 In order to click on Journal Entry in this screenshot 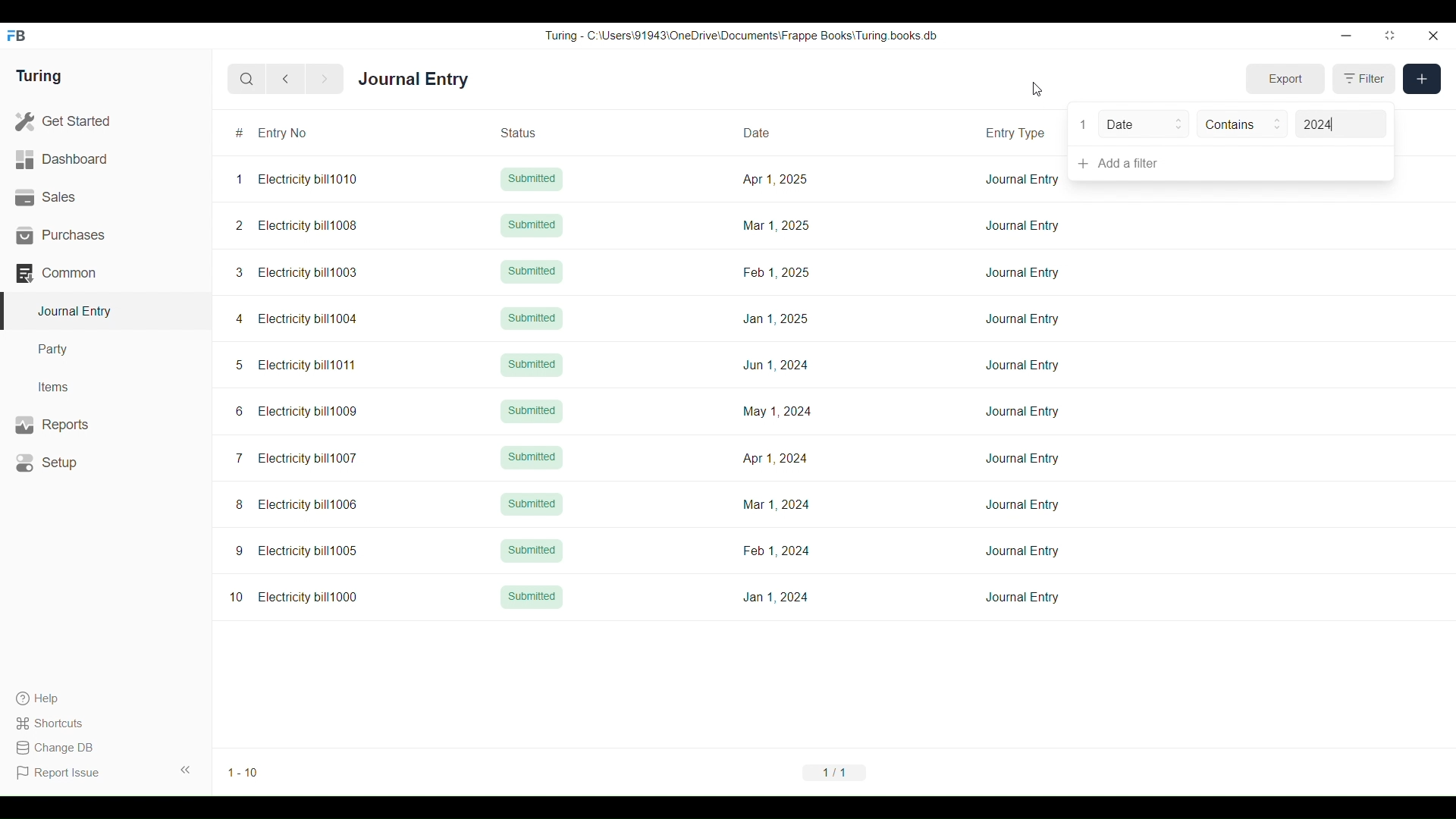, I will do `click(1023, 458)`.